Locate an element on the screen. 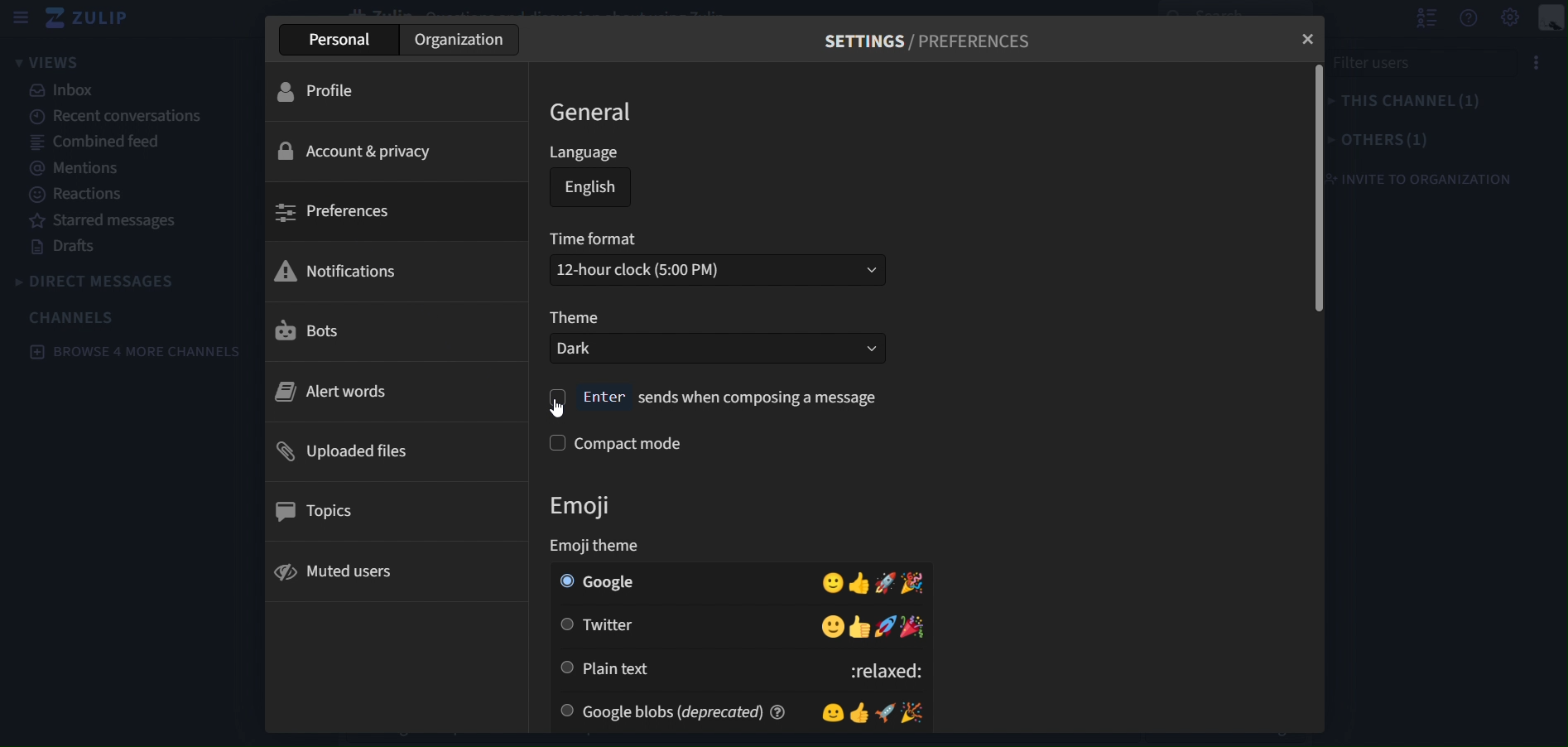 The width and height of the screenshot is (1568, 747). Emojis is located at coordinates (875, 581).